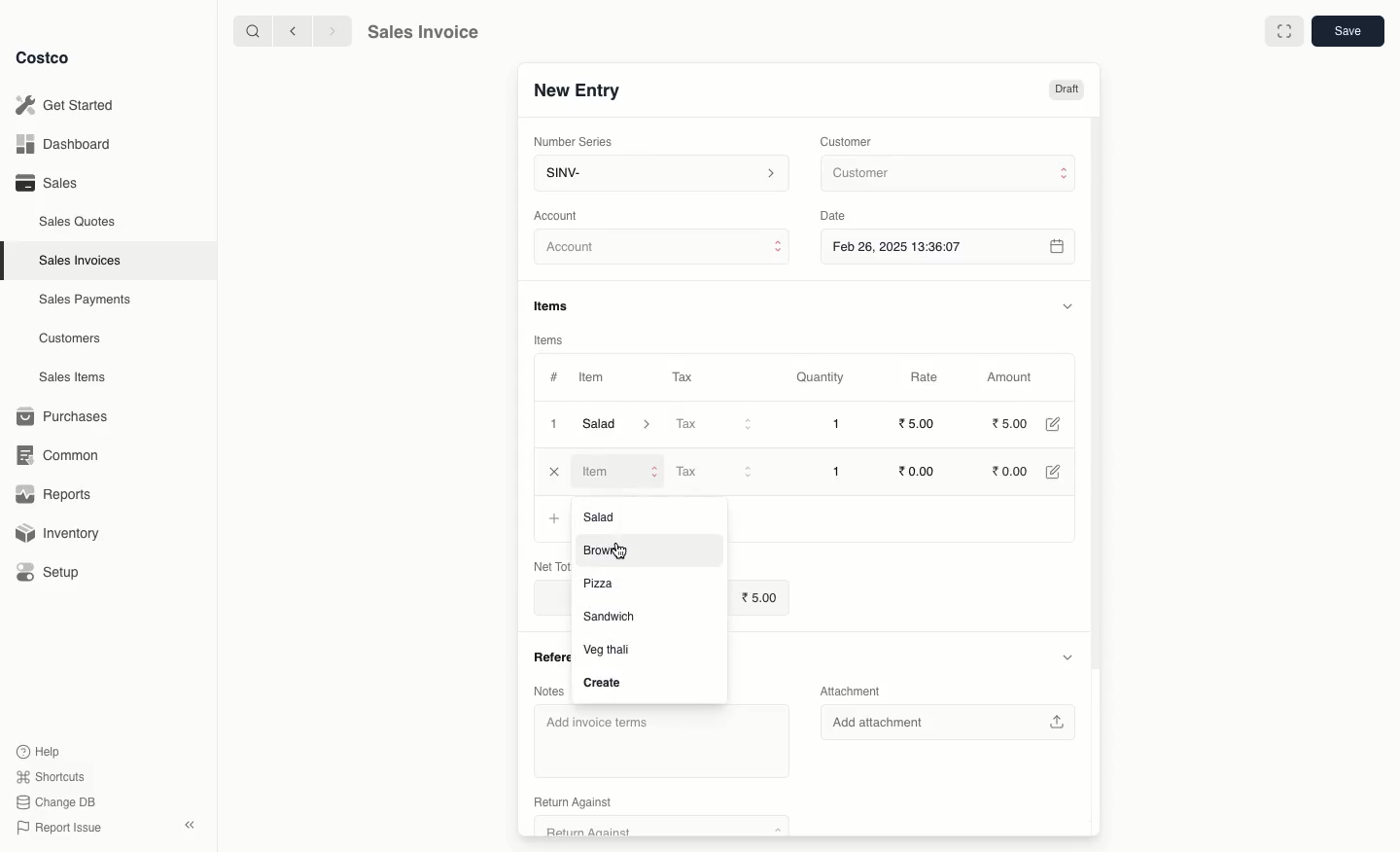 The height and width of the screenshot is (852, 1400). What do you see at coordinates (1069, 657) in the screenshot?
I see `Hide` at bounding box center [1069, 657].